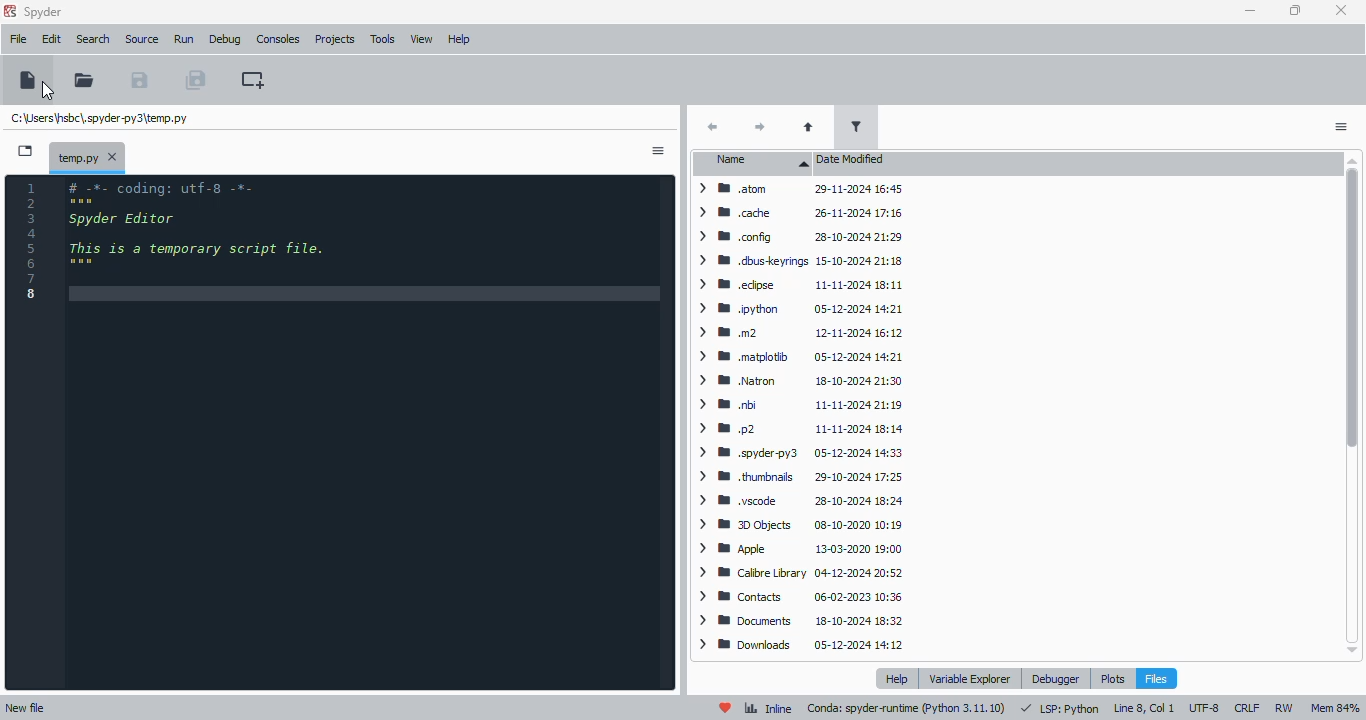 Image resolution: width=1366 pixels, height=720 pixels. Describe the element at coordinates (459, 40) in the screenshot. I see `help` at that location.